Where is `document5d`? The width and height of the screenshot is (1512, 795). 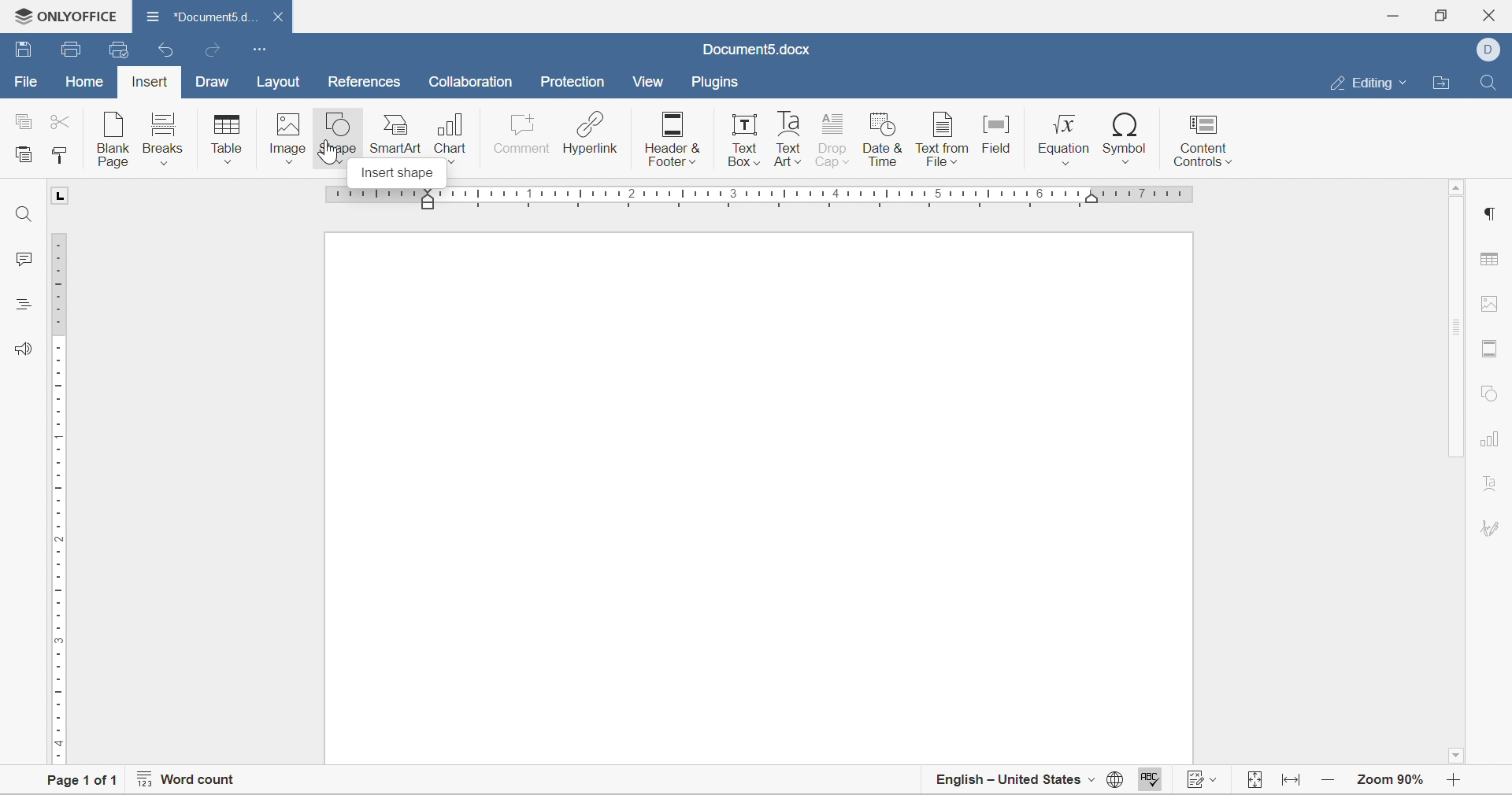
document5d is located at coordinates (205, 14).